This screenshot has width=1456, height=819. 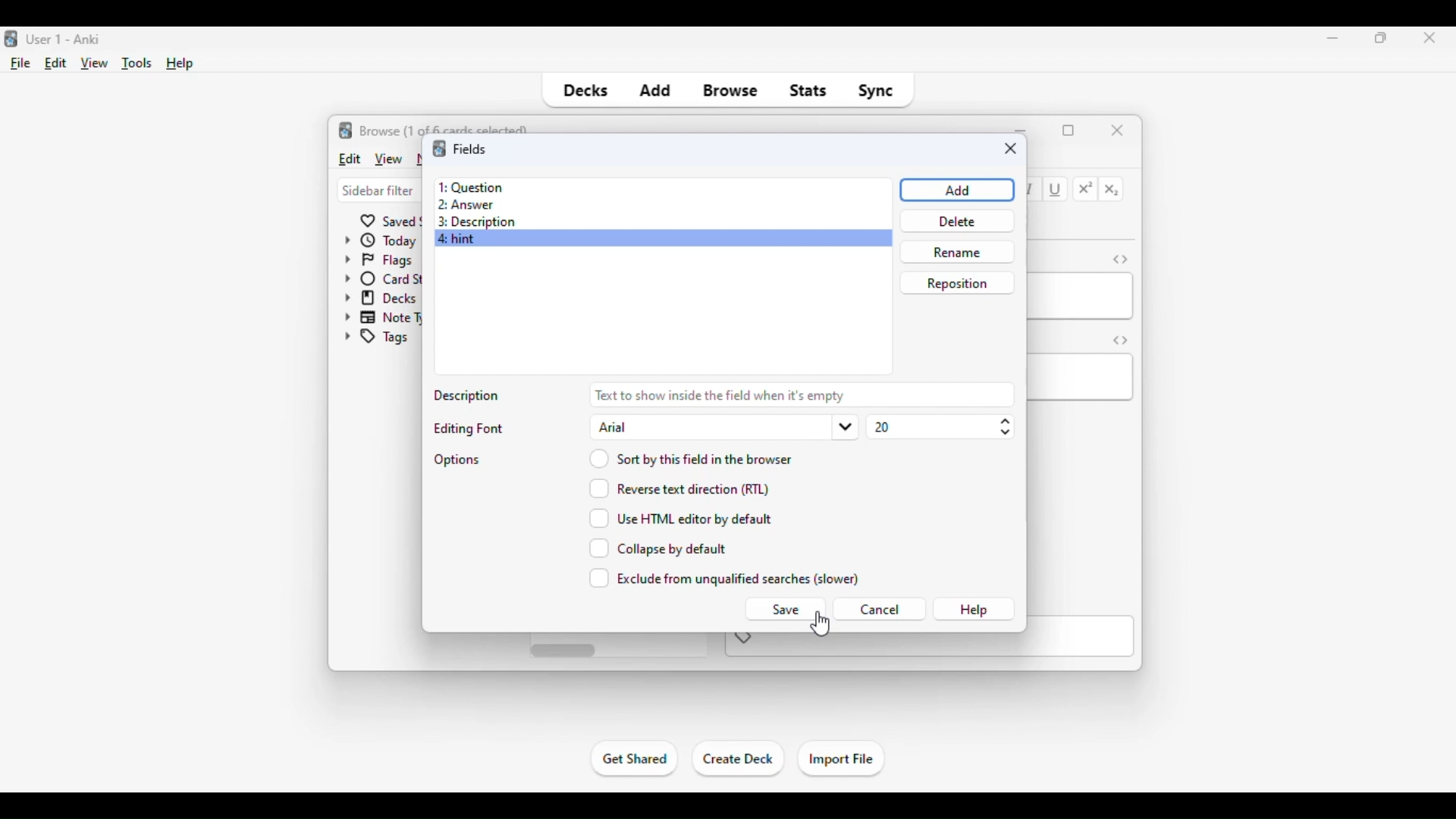 What do you see at coordinates (466, 206) in the screenshot?
I see `2: Answer` at bounding box center [466, 206].